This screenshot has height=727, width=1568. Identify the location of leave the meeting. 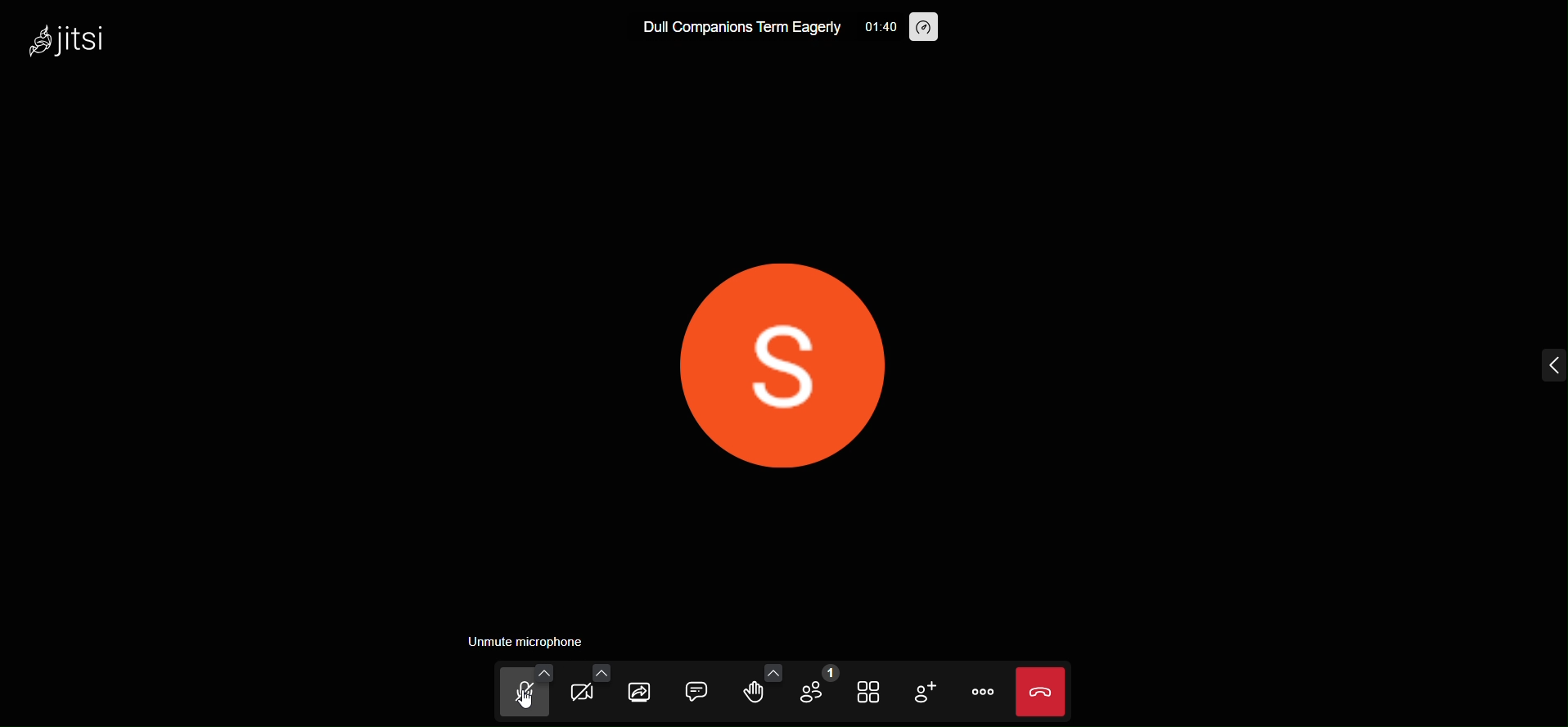
(1039, 689).